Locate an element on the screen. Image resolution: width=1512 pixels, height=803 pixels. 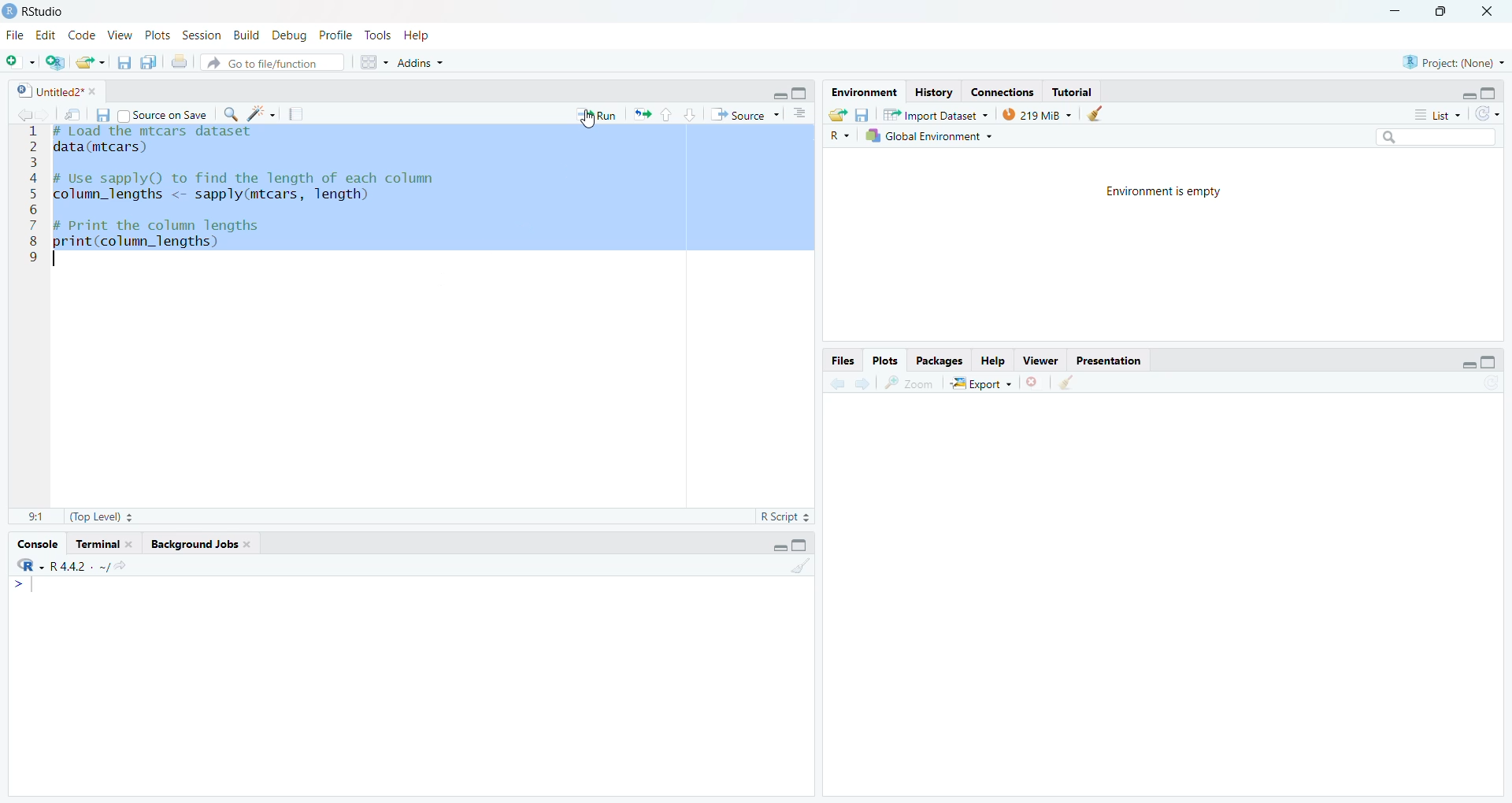
Save is located at coordinates (863, 114).